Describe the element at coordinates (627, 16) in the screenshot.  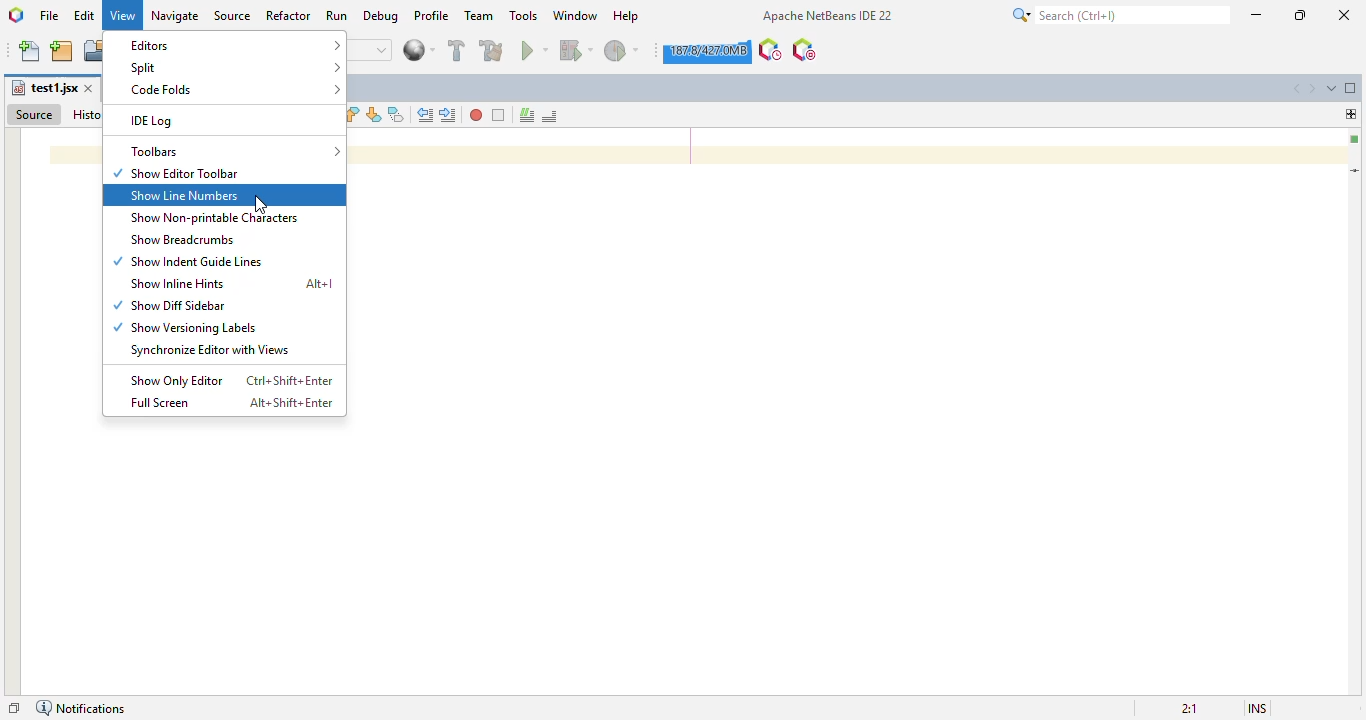
I see `help` at that location.